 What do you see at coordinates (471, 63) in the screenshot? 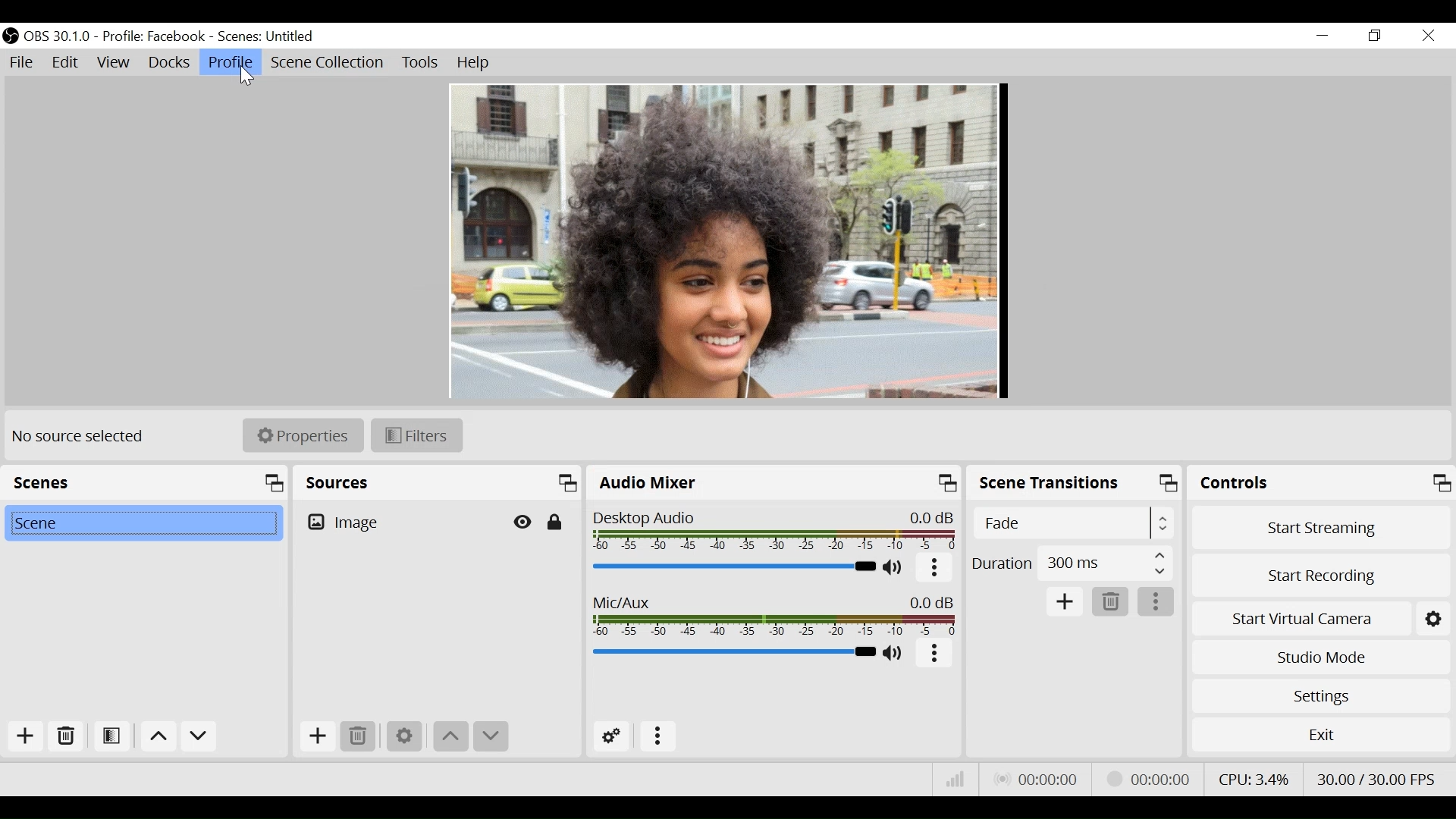
I see `Help` at bounding box center [471, 63].